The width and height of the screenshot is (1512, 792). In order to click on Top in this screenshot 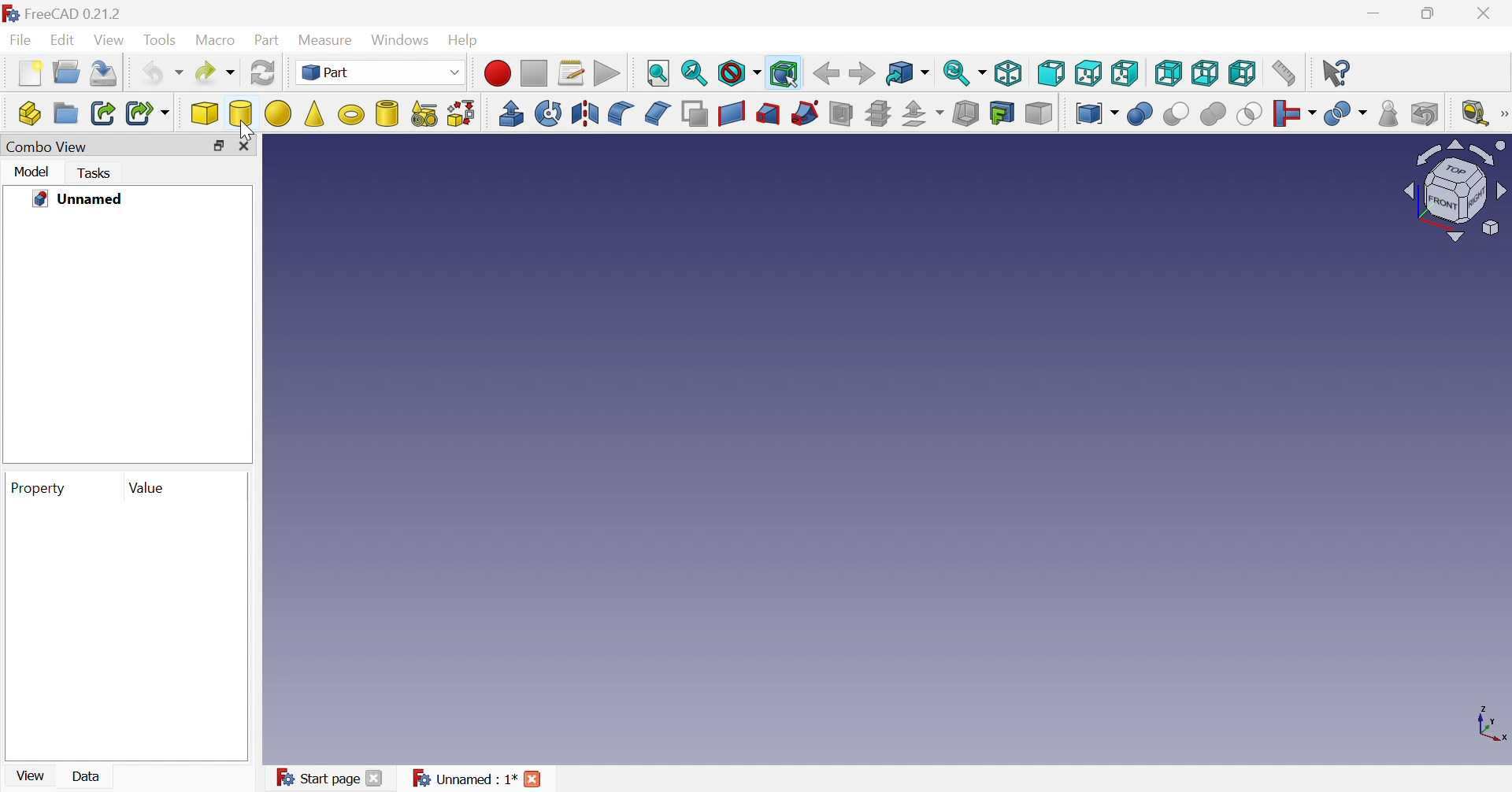, I will do `click(1088, 73)`.